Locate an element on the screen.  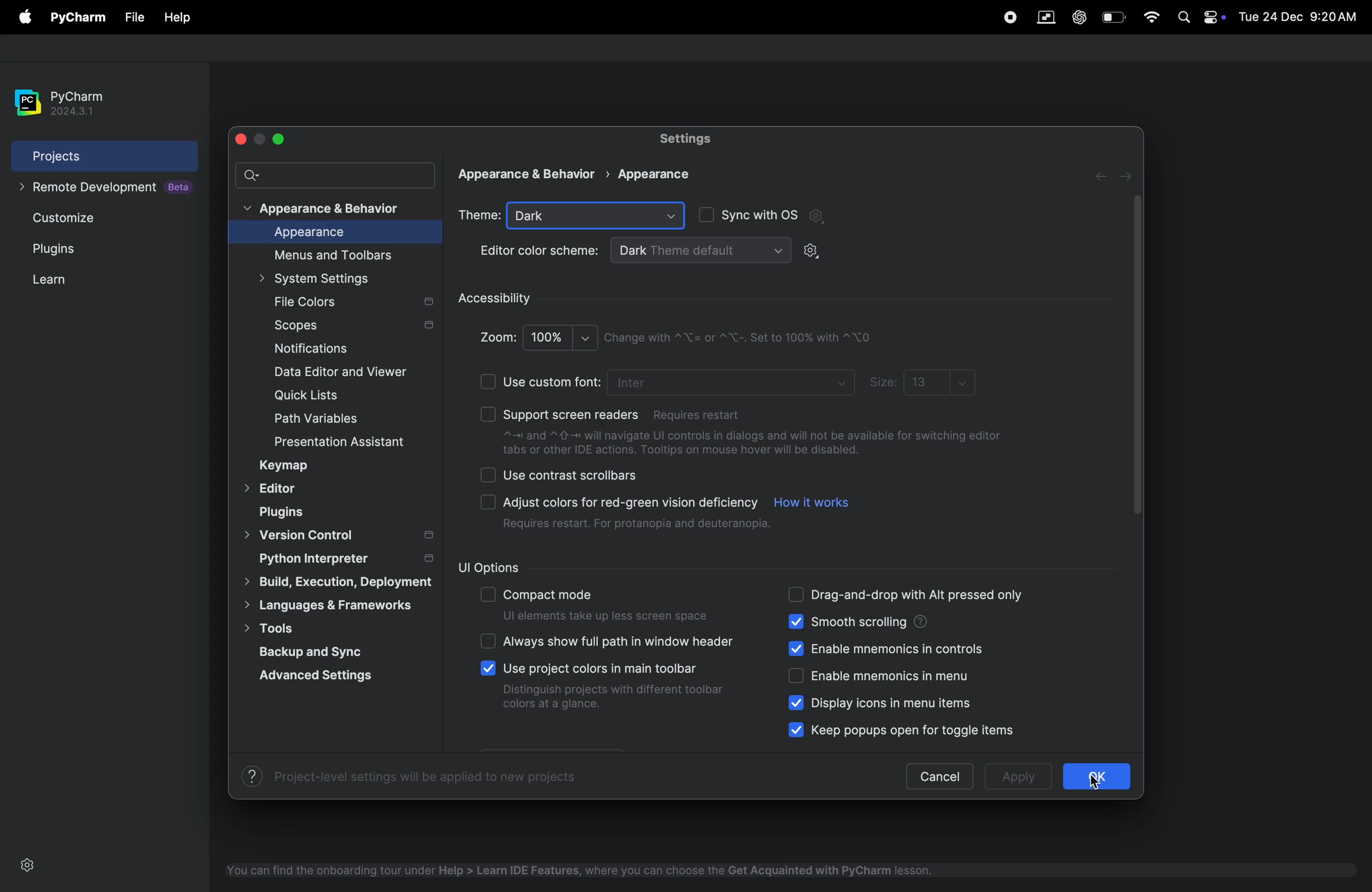
editor color scheme is located at coordinates (540, 252).